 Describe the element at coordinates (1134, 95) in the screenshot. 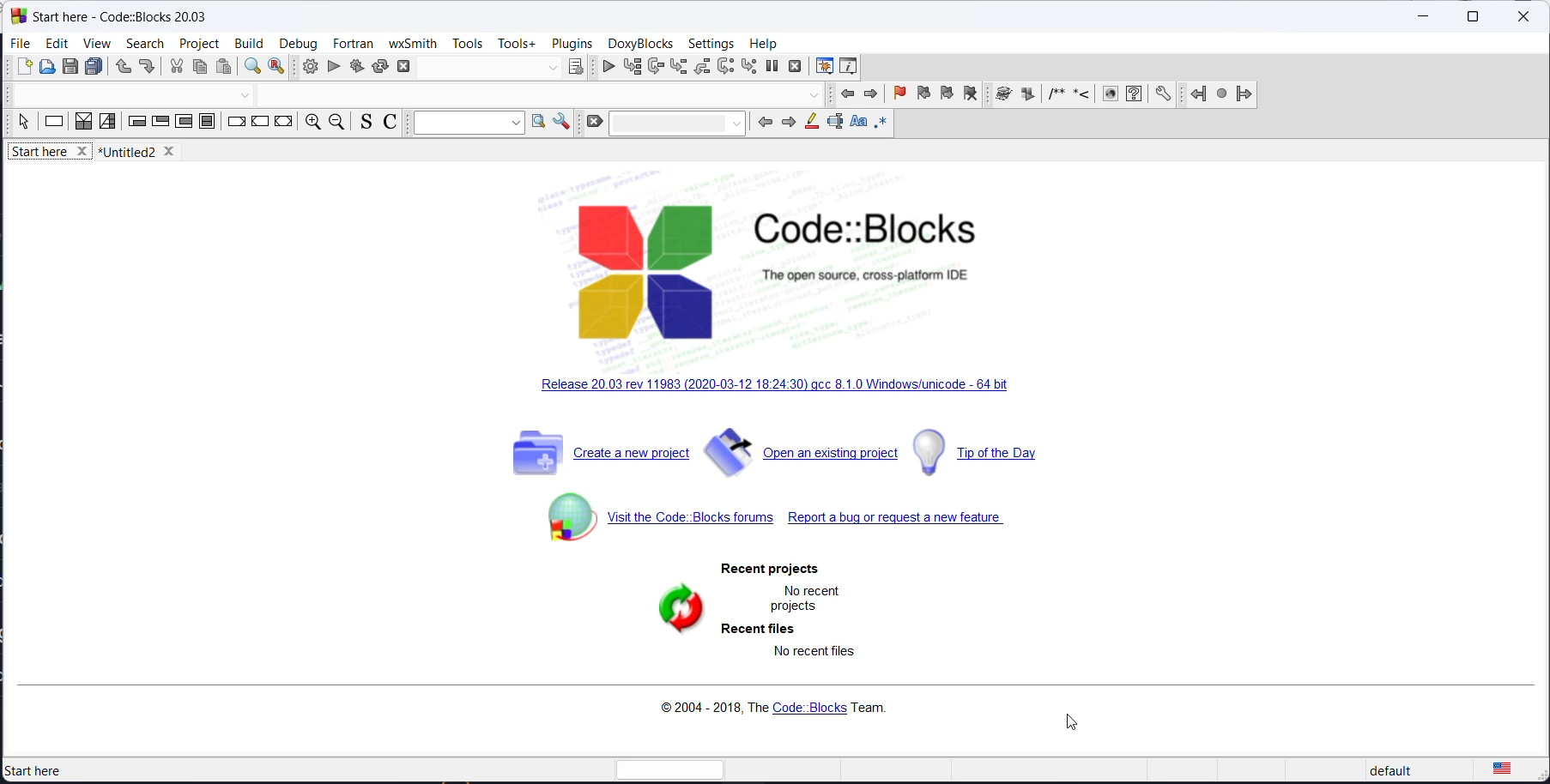

I see `faq` at that location.